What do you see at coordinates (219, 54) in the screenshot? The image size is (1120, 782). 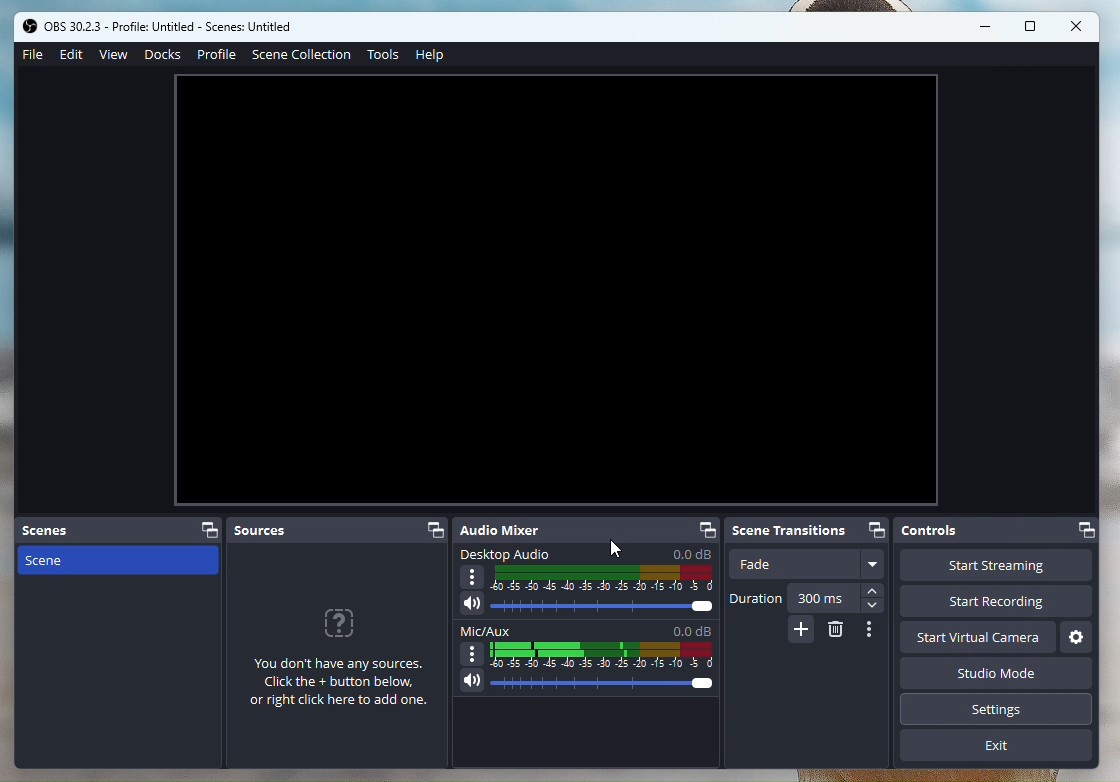 I see `Profile` at bounding box center [219, 54].